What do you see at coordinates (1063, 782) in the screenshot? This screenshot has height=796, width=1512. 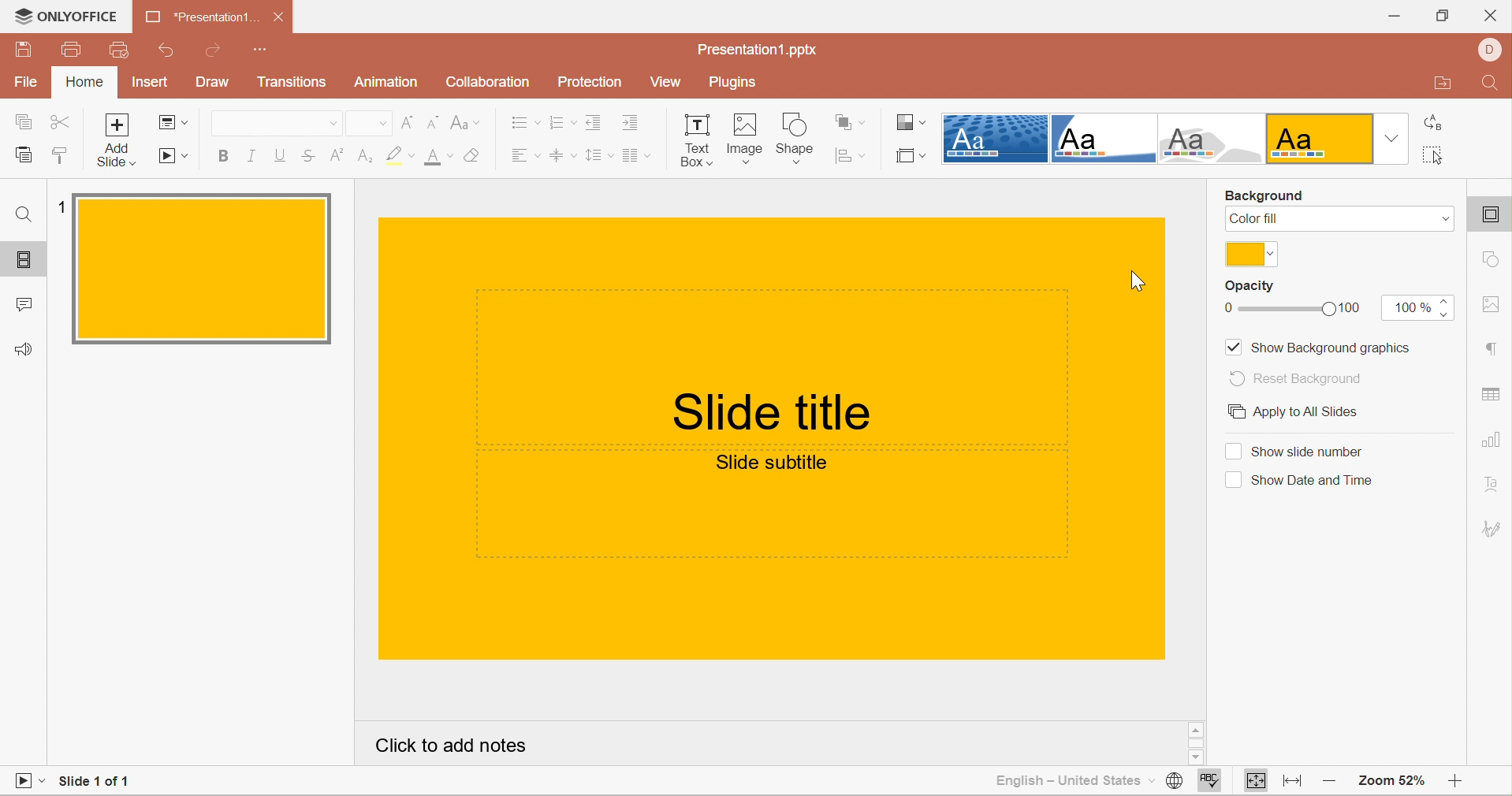 I see `English - United States` at bounding box center [1063, 782].